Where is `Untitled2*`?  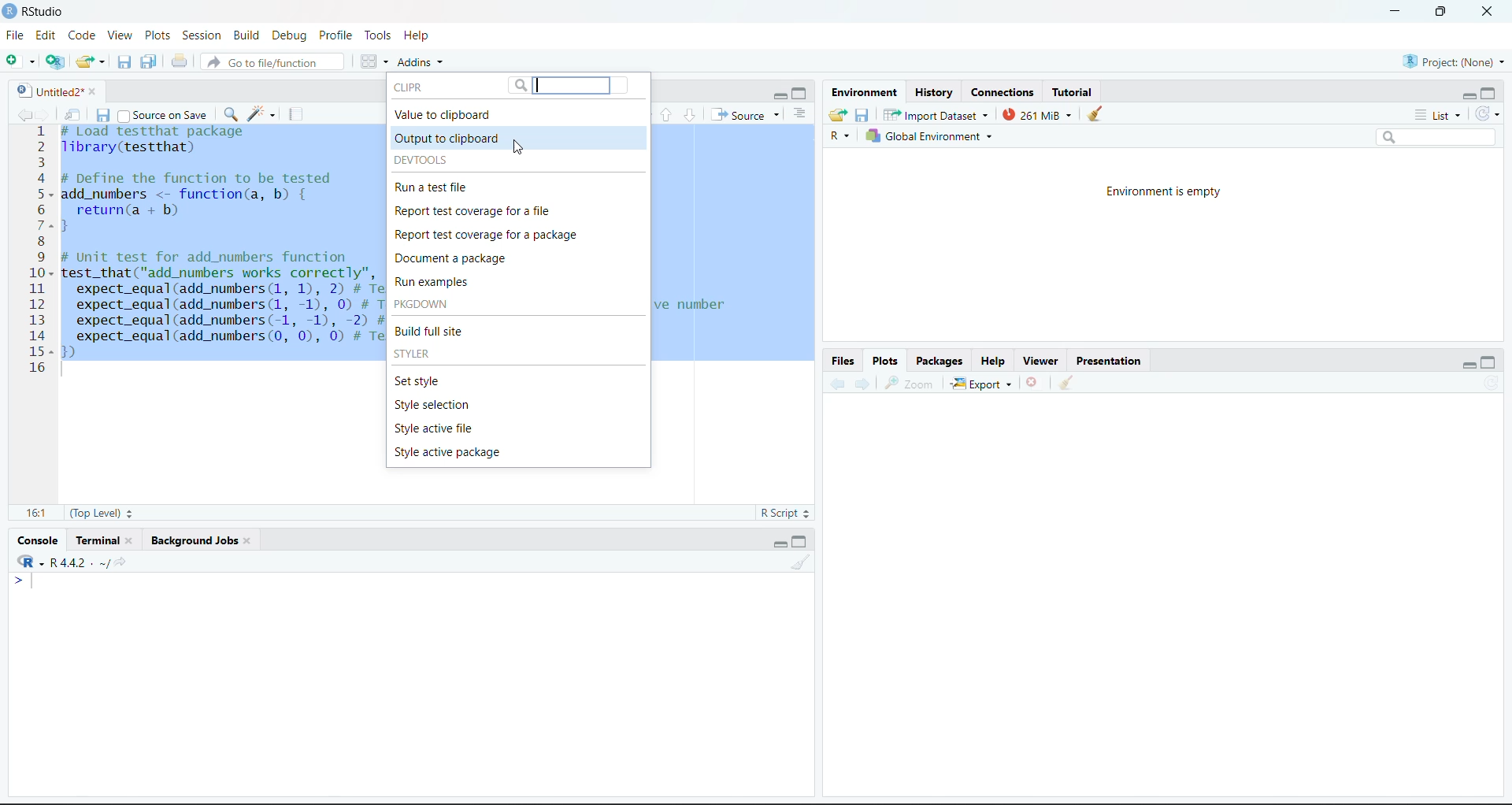
Untitled2* is located at coordinates (48, 89).